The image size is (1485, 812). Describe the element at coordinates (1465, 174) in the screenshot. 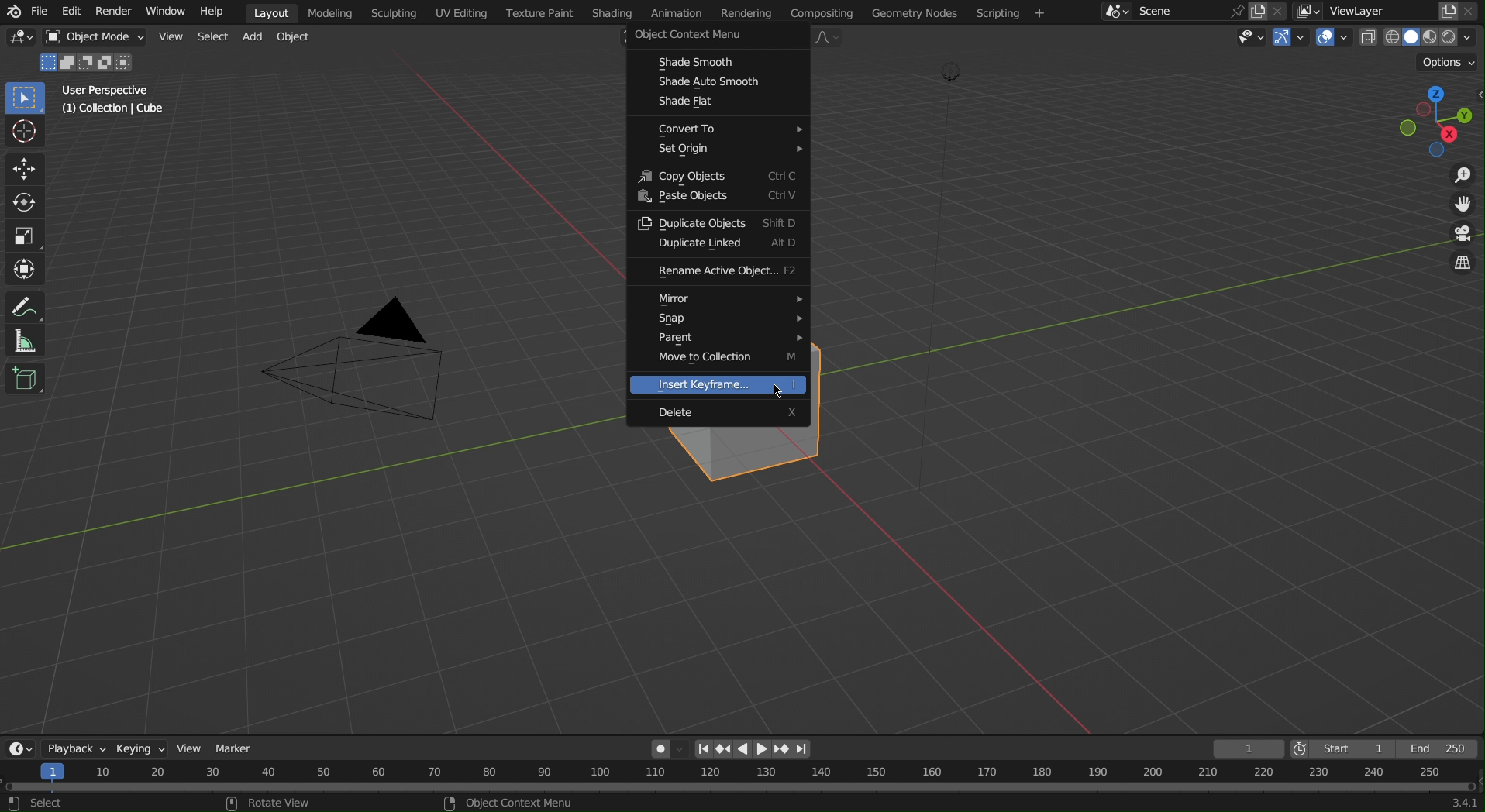

I see `Zoom ` at that location.